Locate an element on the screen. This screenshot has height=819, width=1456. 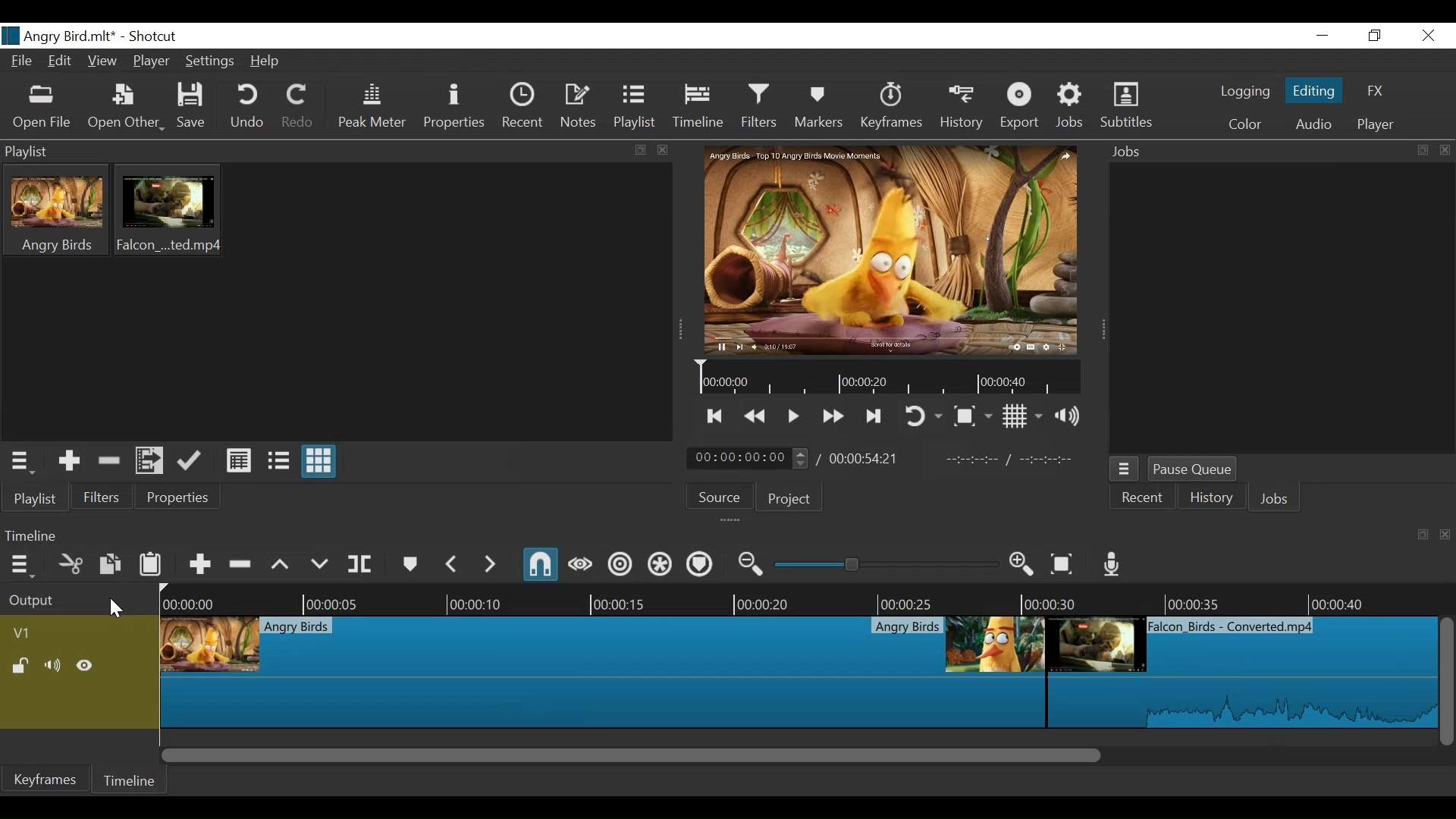
Skip to the next point is located at coordinates (872, 417).